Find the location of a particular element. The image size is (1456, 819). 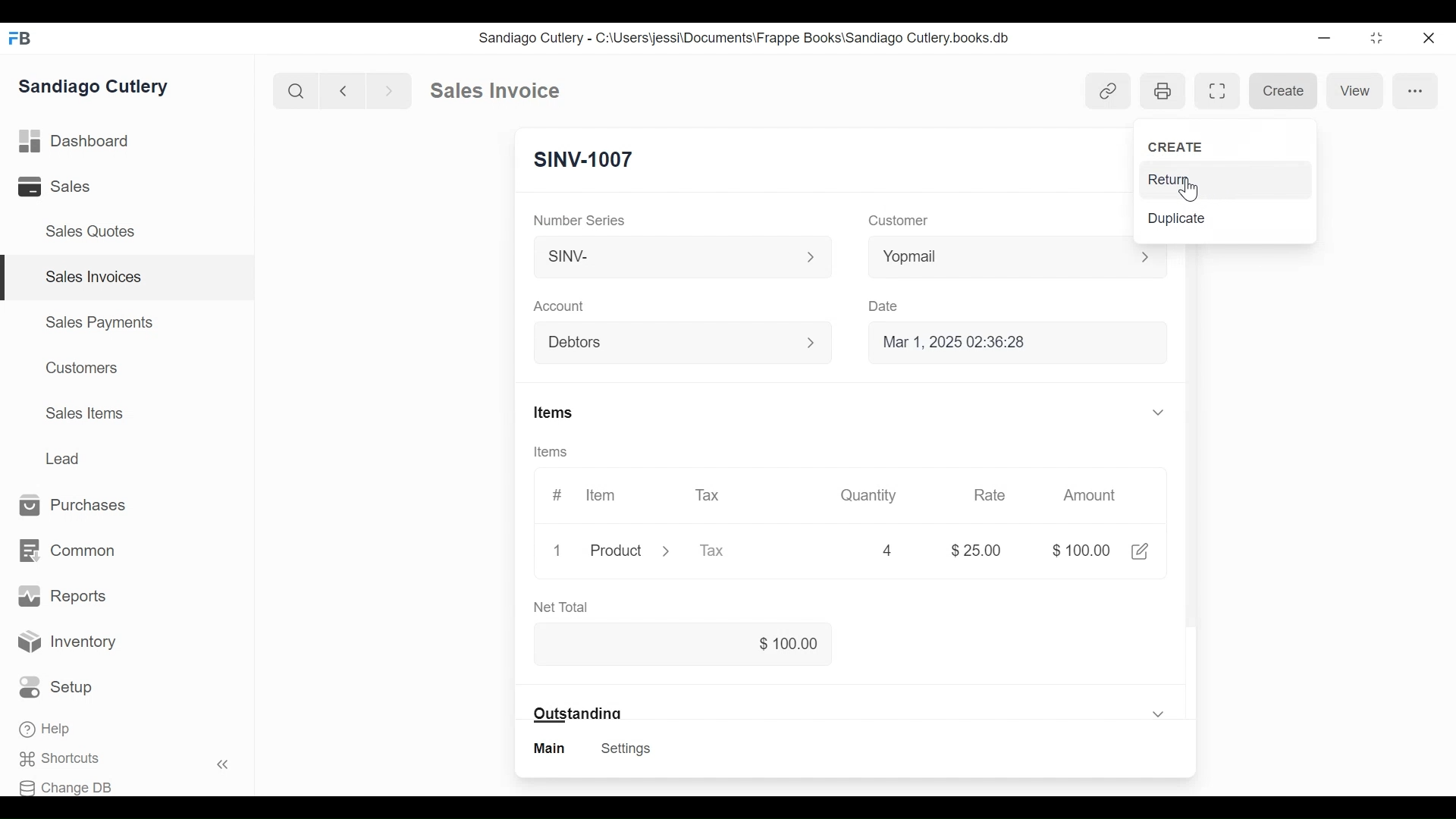

Sales Quotes is located at coordinates (93, 231).